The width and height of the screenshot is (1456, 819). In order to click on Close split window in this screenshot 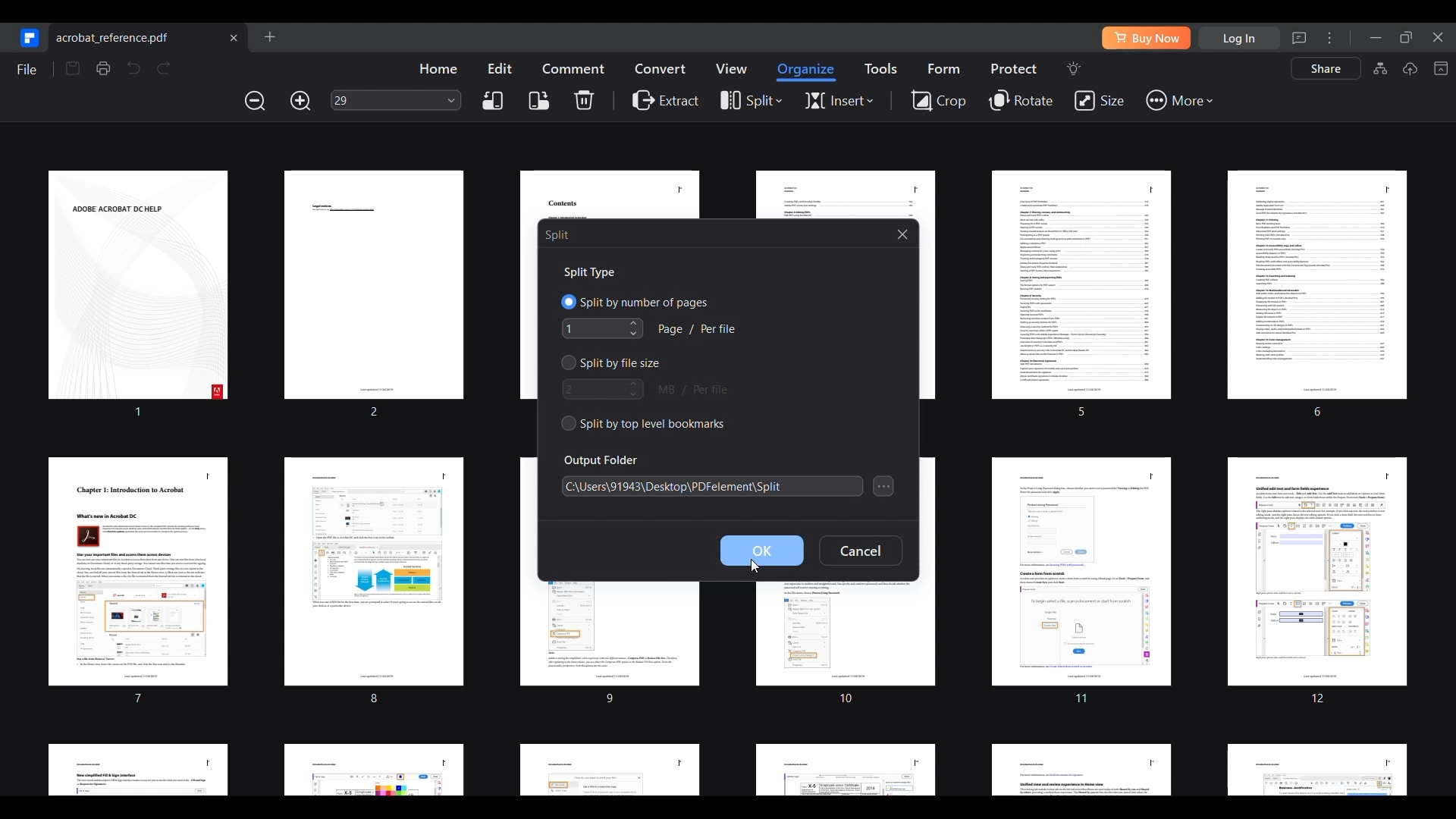, I will do `click(902, 234)`.